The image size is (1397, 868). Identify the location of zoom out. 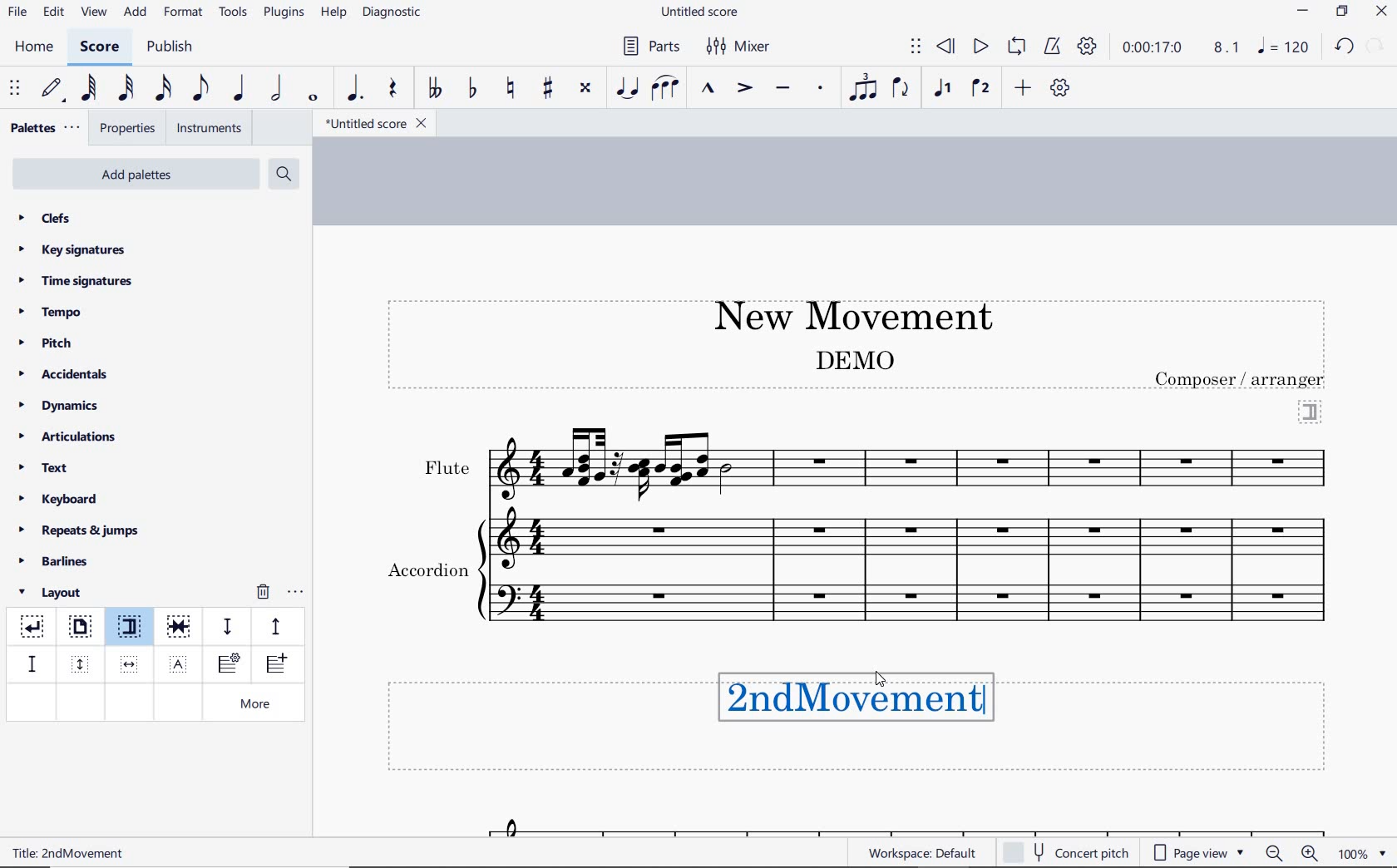
(1276, 853).